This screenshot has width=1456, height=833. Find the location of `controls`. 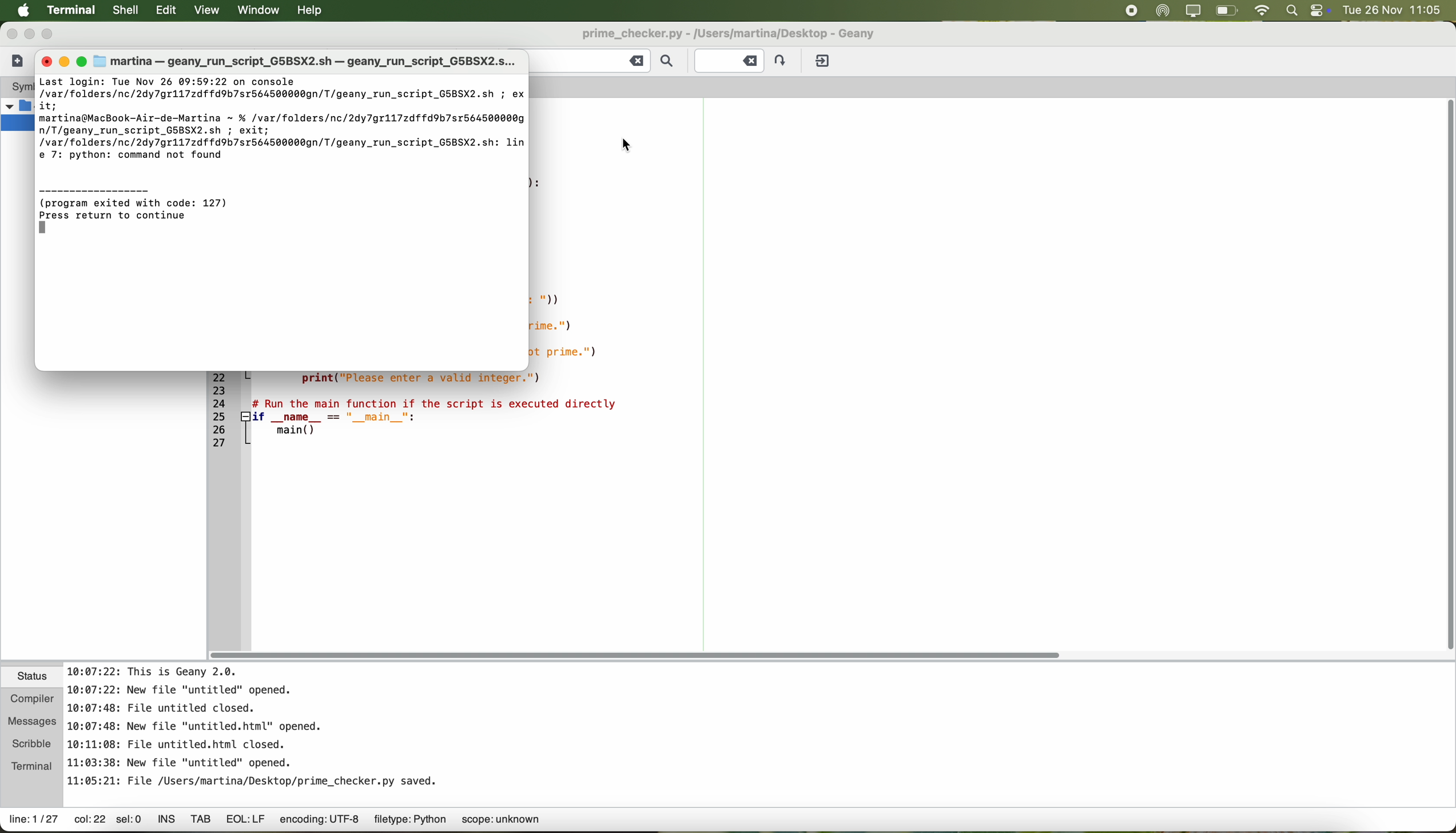

controls is located at coordinates (1319, 10).